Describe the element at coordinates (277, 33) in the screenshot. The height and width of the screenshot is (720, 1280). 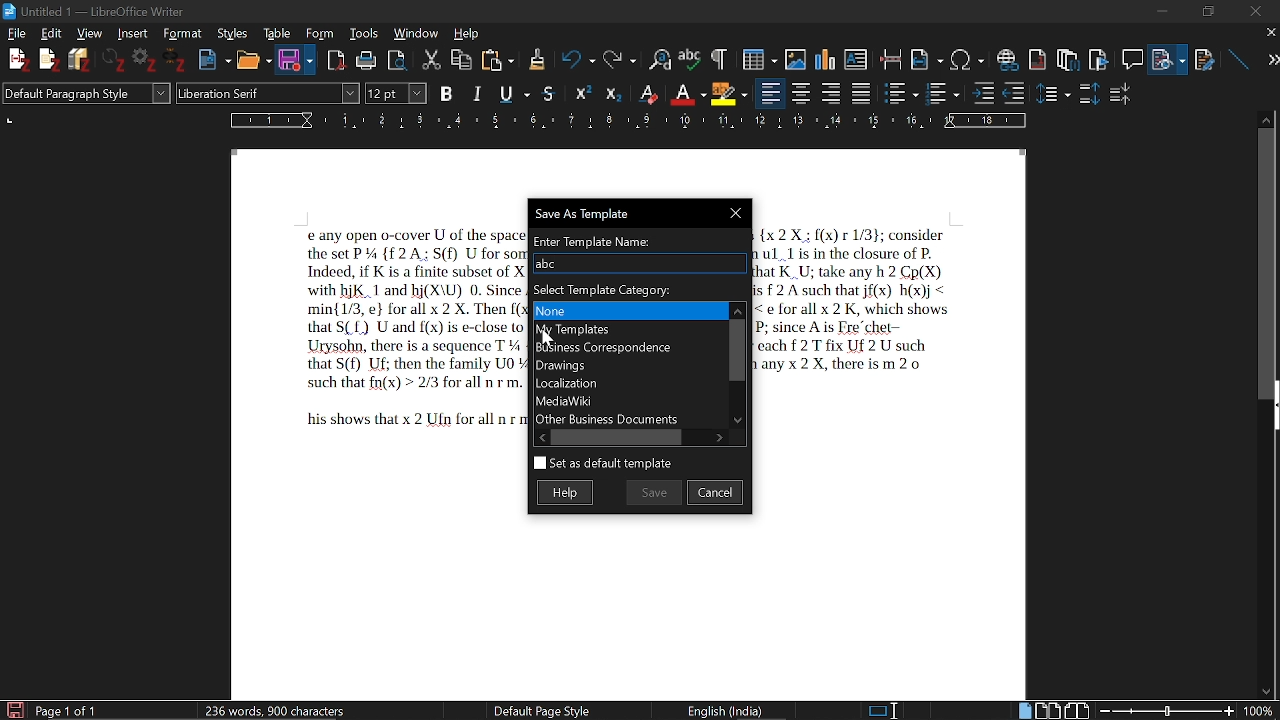
I see `Table` at that location.